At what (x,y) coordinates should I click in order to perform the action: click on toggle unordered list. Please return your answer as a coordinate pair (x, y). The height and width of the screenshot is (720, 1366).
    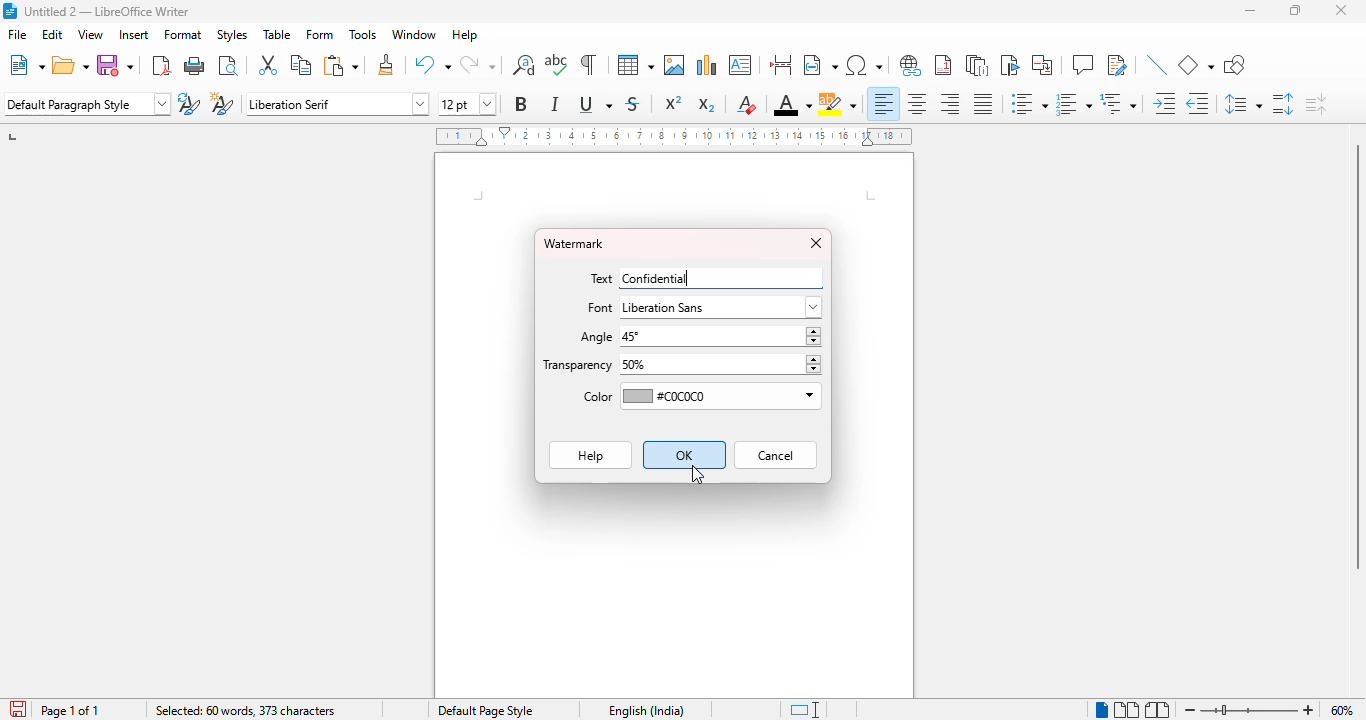
    Looking at the image, I should click on (1029, 103).